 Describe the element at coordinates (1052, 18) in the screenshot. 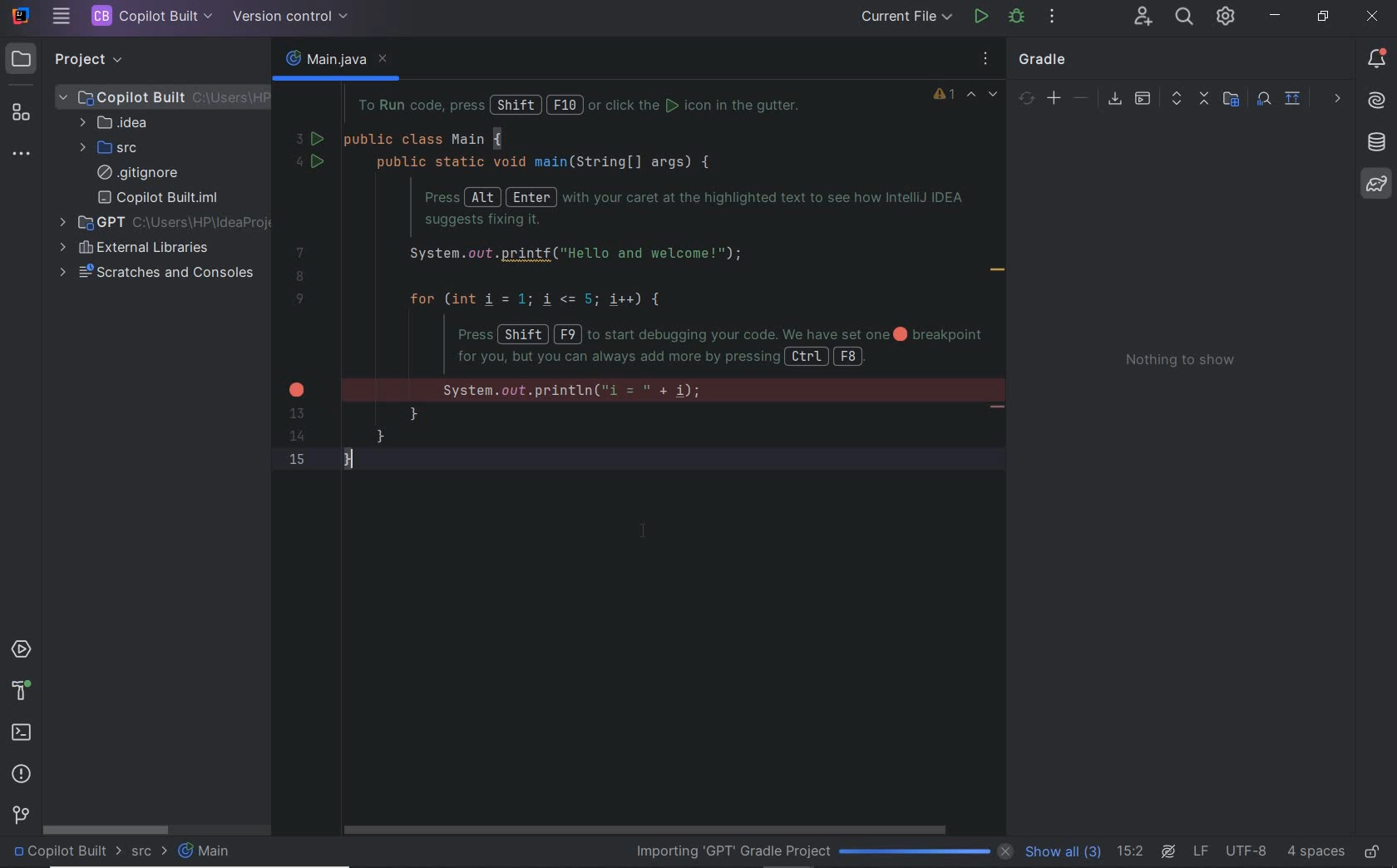

I see `MORE ACTIONS` at that location.